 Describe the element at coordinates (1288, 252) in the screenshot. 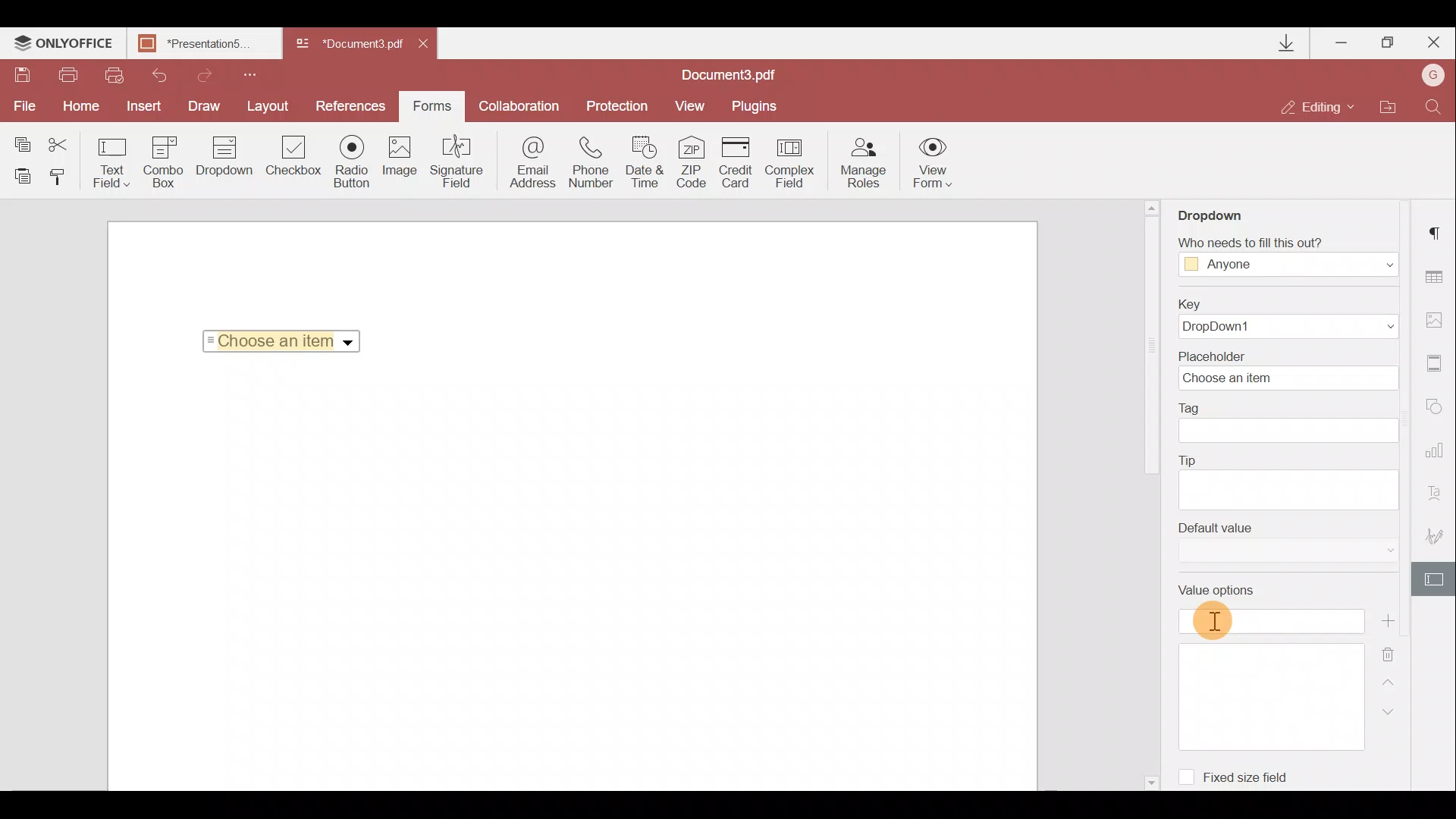

I see `Who needs to fill this out?` at that location.